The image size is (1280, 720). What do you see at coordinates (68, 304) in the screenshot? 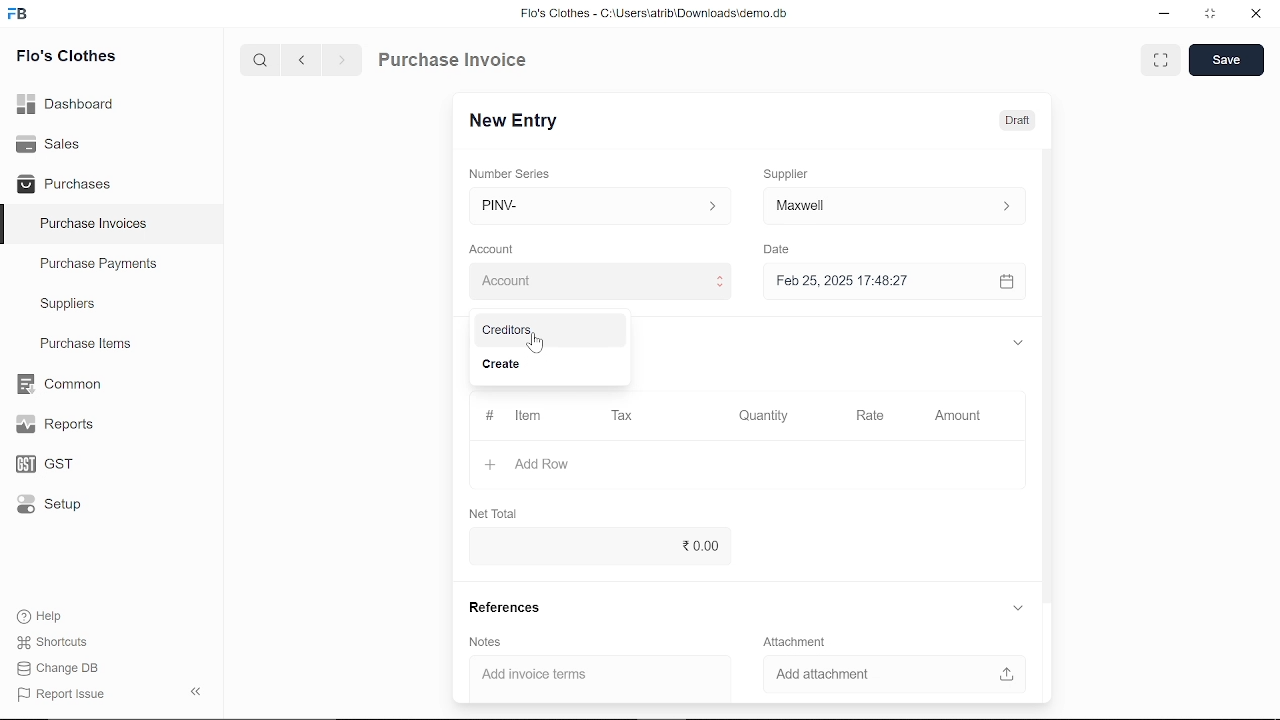
I see `Suppliers` at bounding box center [68, 304].